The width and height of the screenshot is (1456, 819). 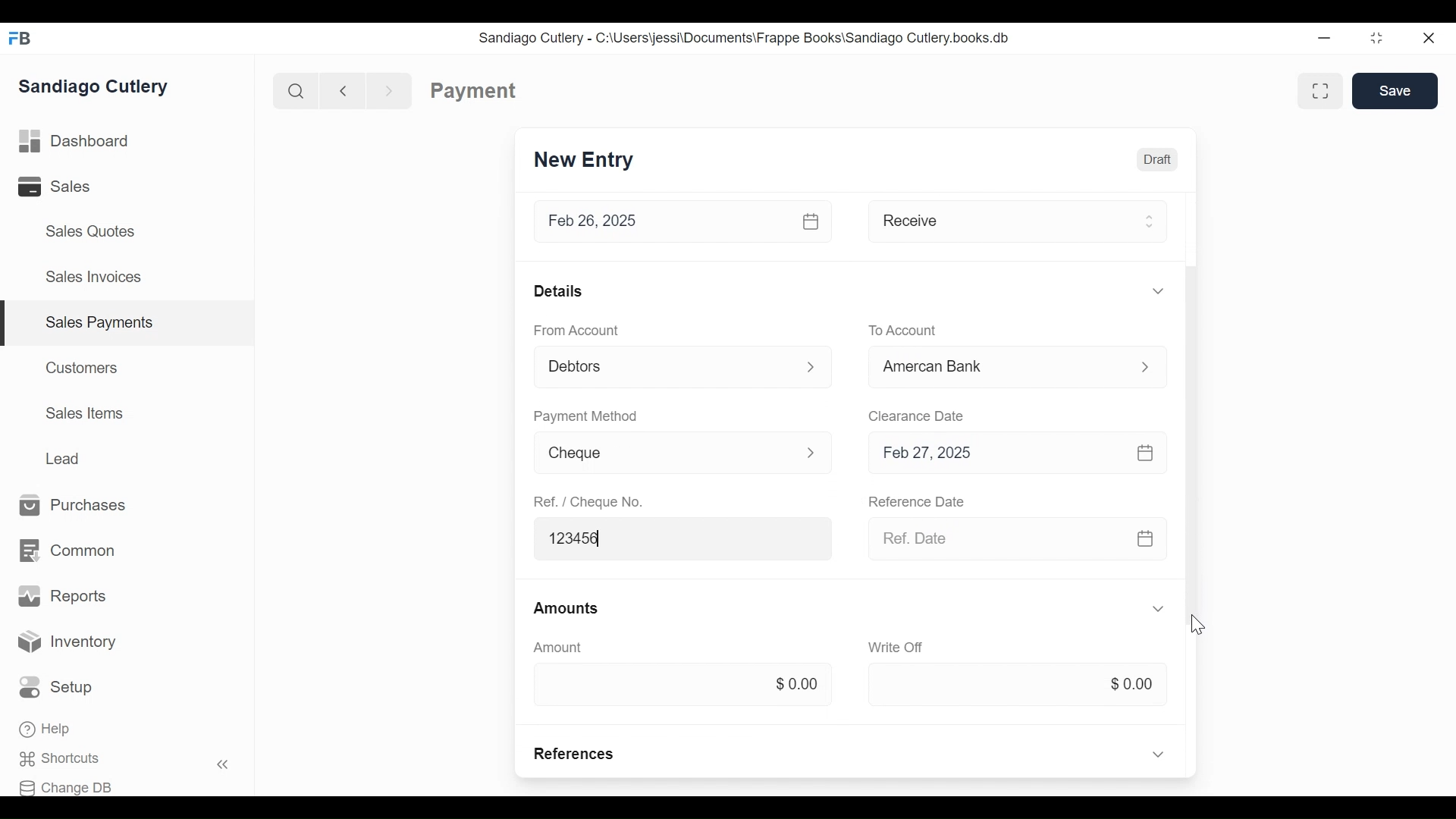 I want to click on Reports, so click(x=62, y=596).